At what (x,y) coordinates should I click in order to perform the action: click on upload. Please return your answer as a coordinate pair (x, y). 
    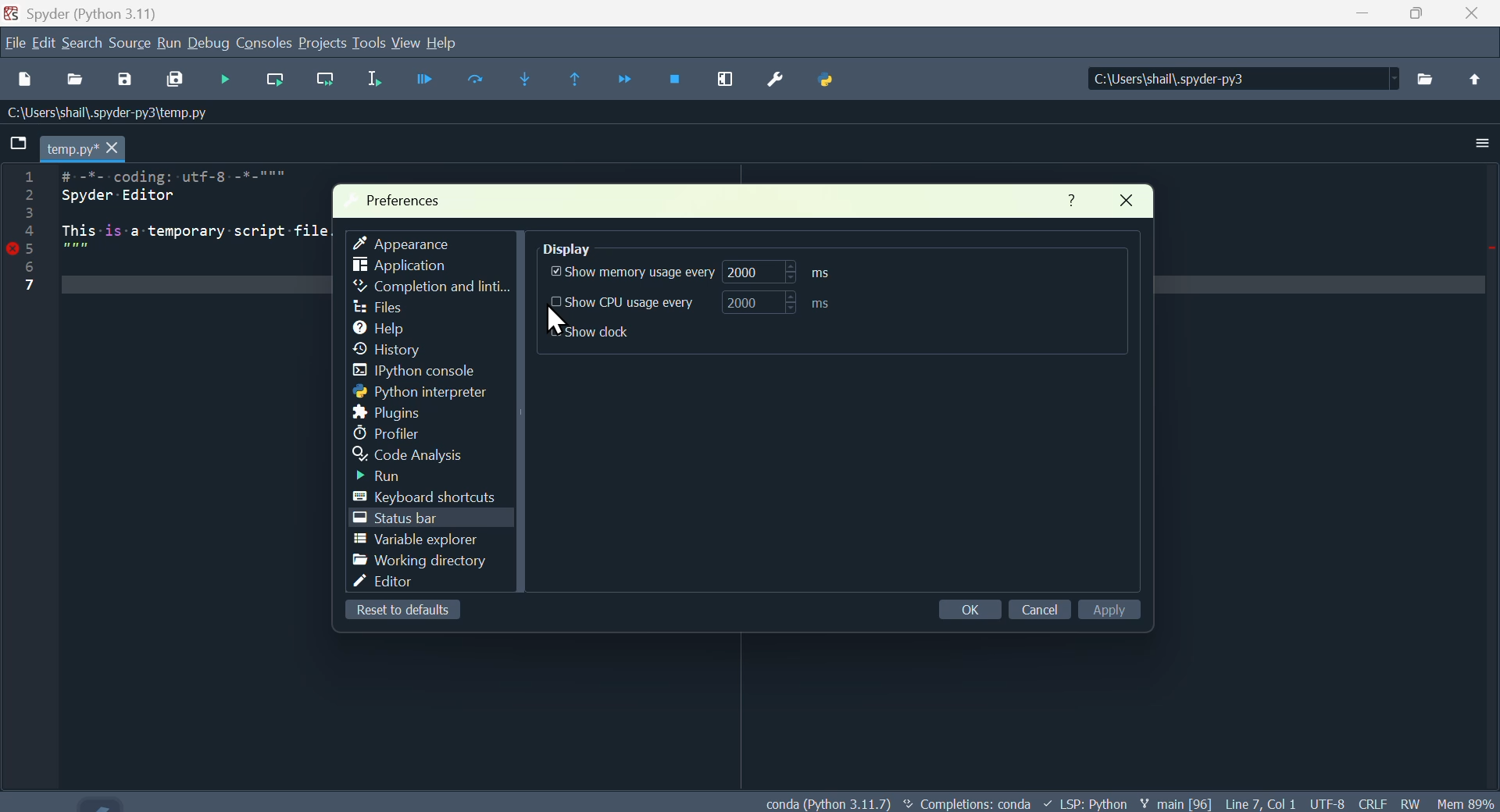
    Looking at the image, I should click on (1472, 77).